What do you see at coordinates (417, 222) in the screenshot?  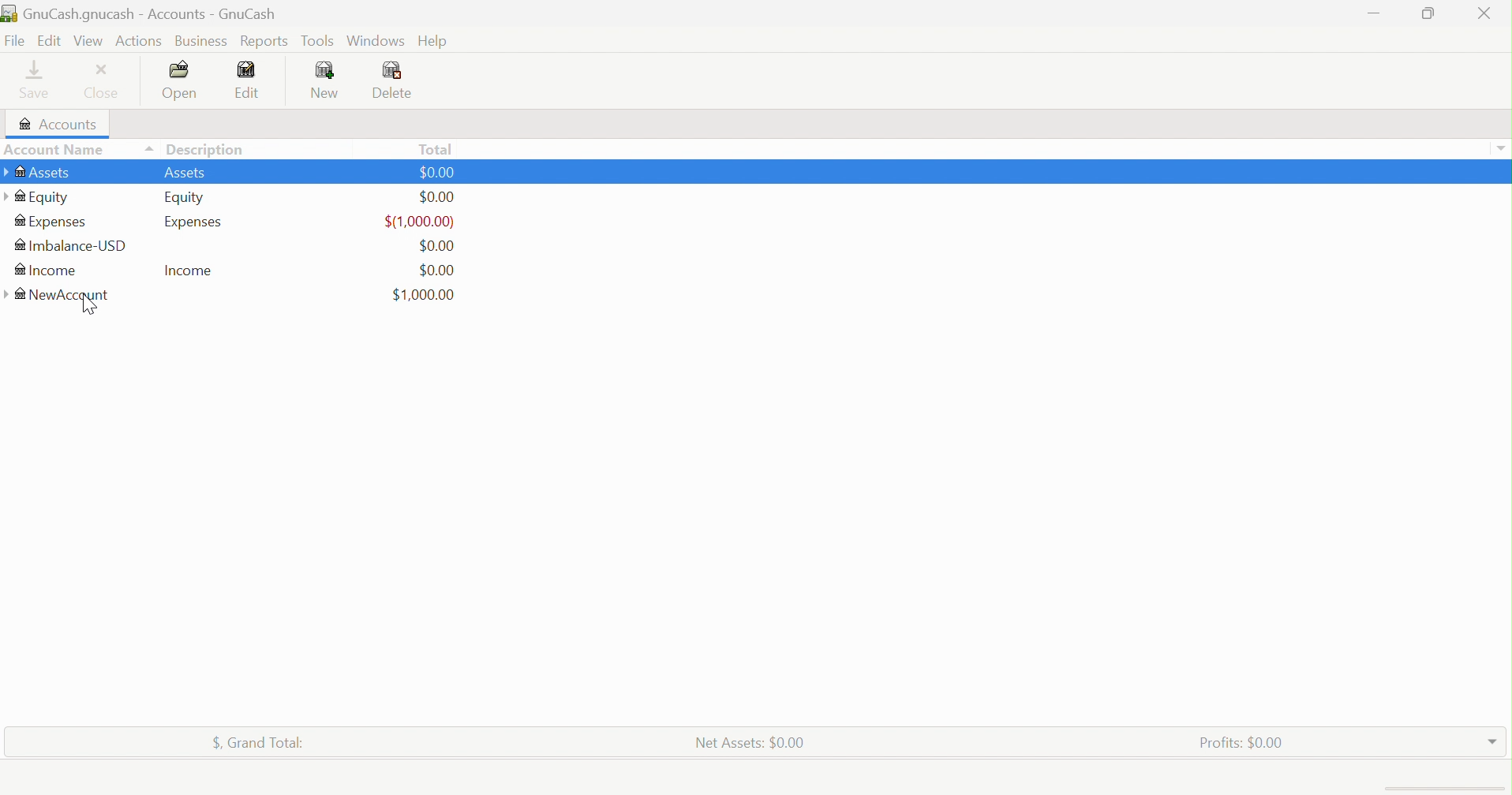 I see `$(1,000.00)` at bounding box center [417, 222].